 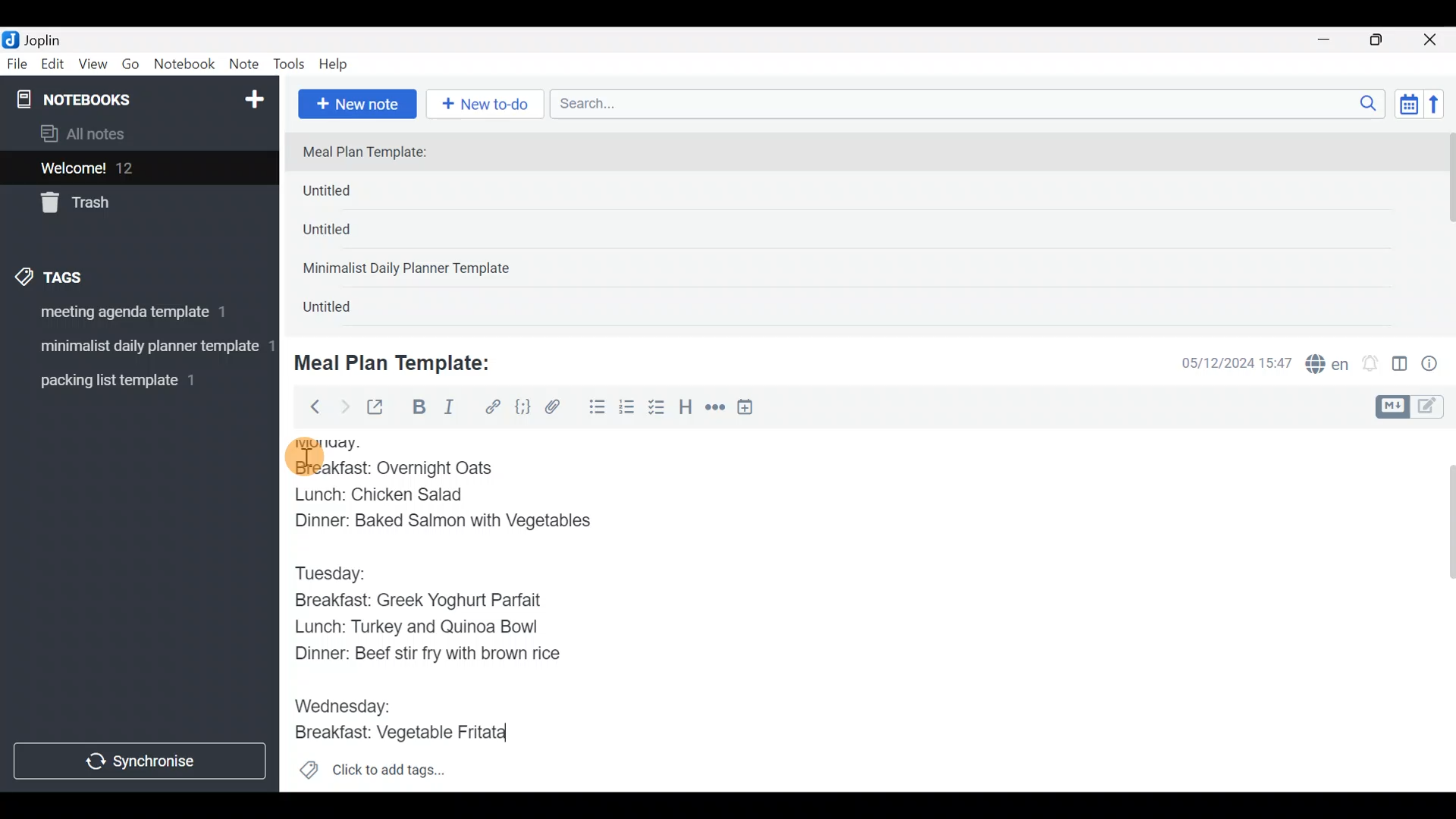 I want to click on Code, so click(x=521, y=406).